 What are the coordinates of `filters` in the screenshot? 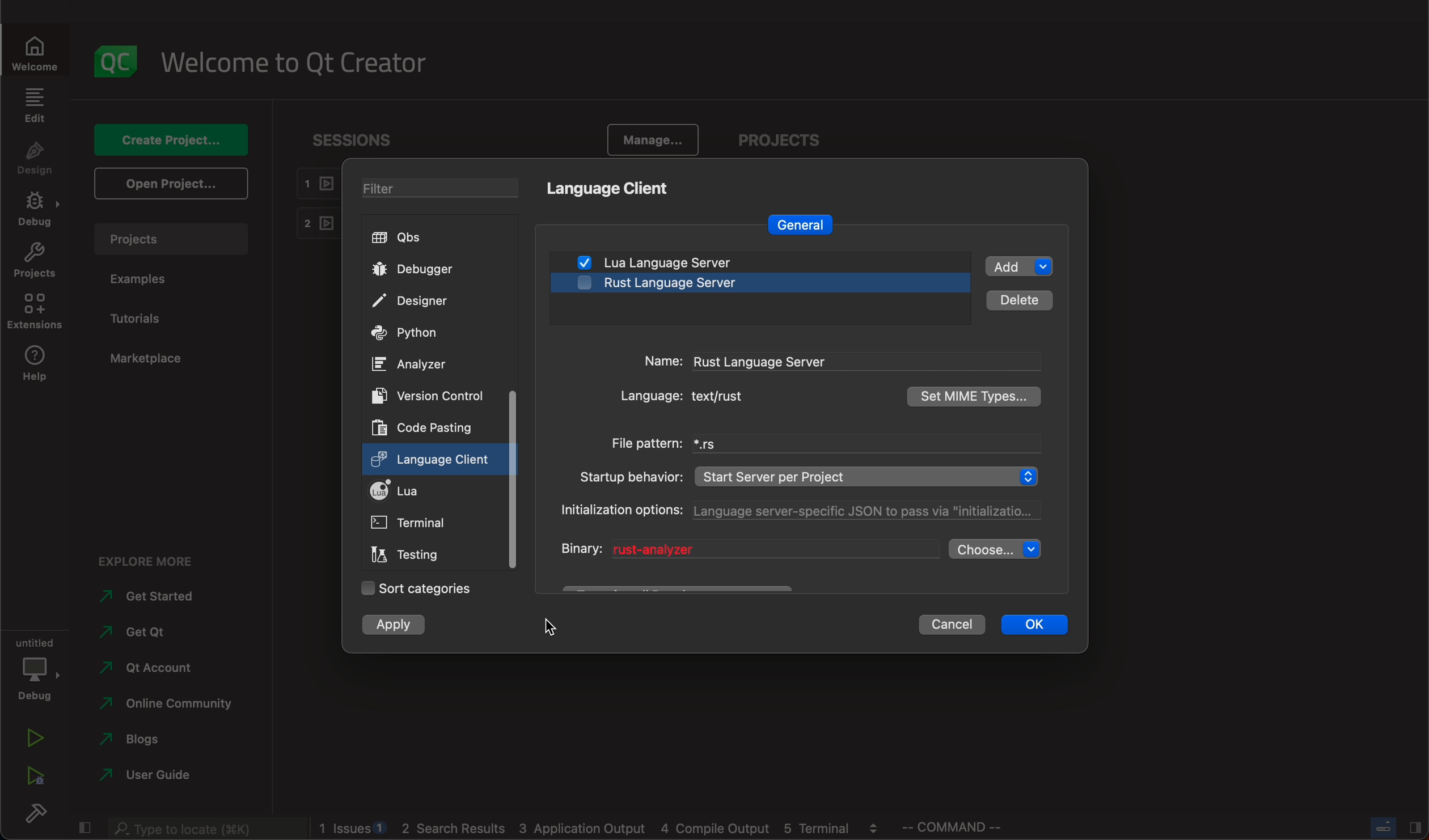 It's located at (441, 188).